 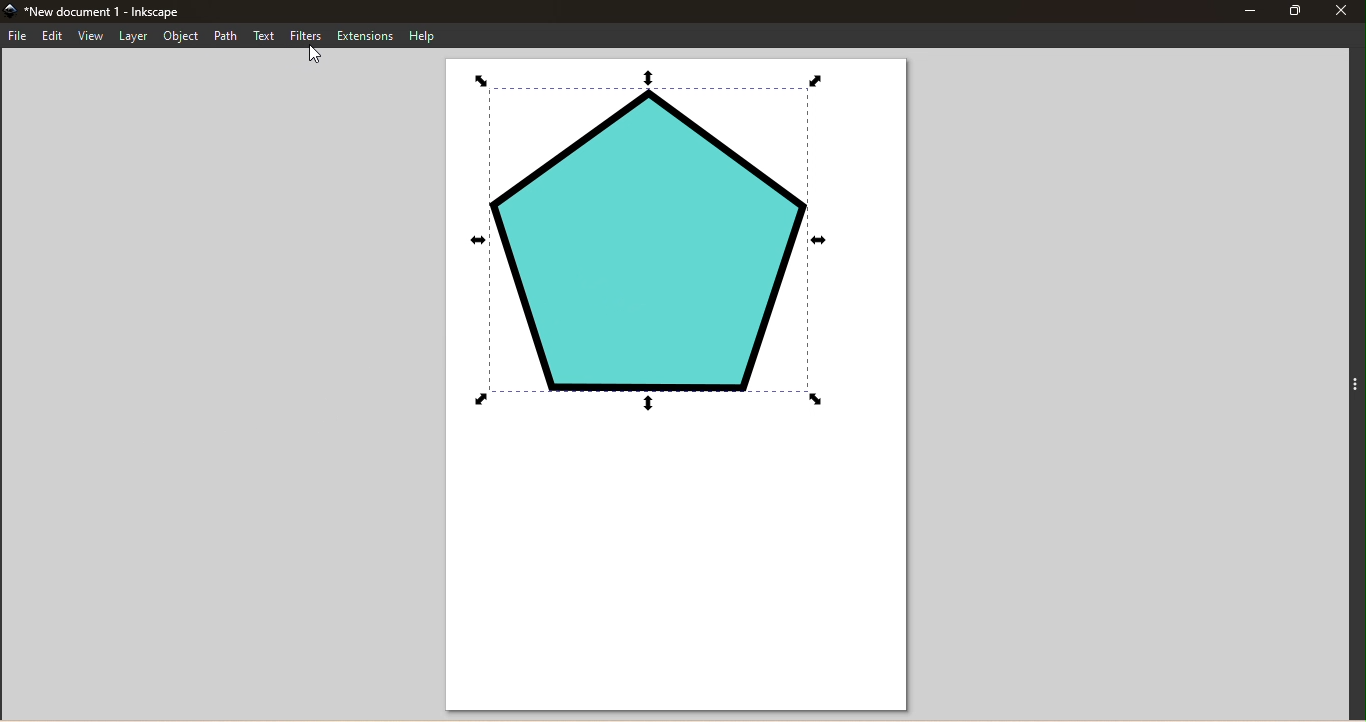 I want to click on Minimize, so click(x=1248, y=10).